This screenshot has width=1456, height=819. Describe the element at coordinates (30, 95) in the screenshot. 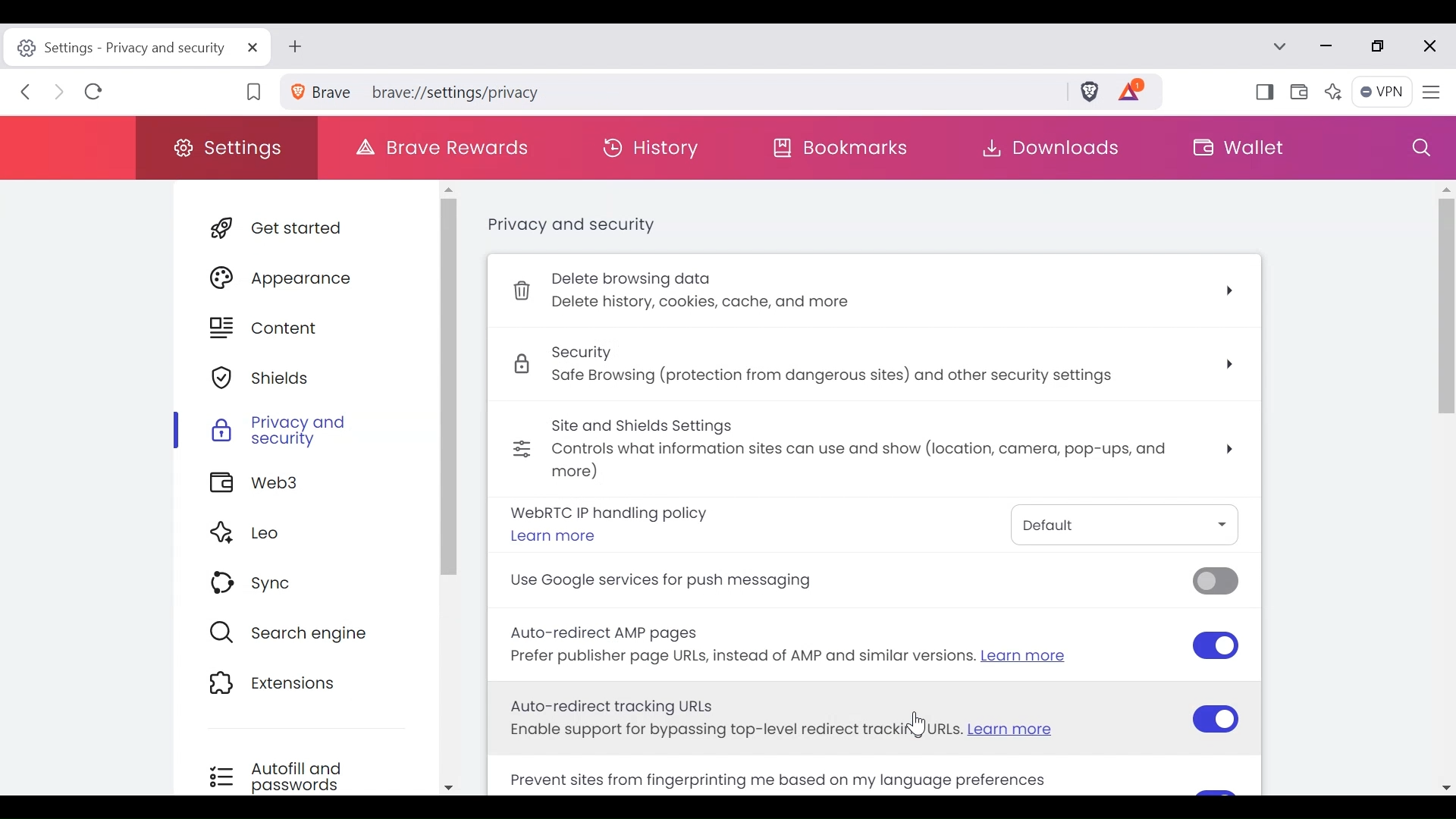

I see `Click to Go Back` at that location.